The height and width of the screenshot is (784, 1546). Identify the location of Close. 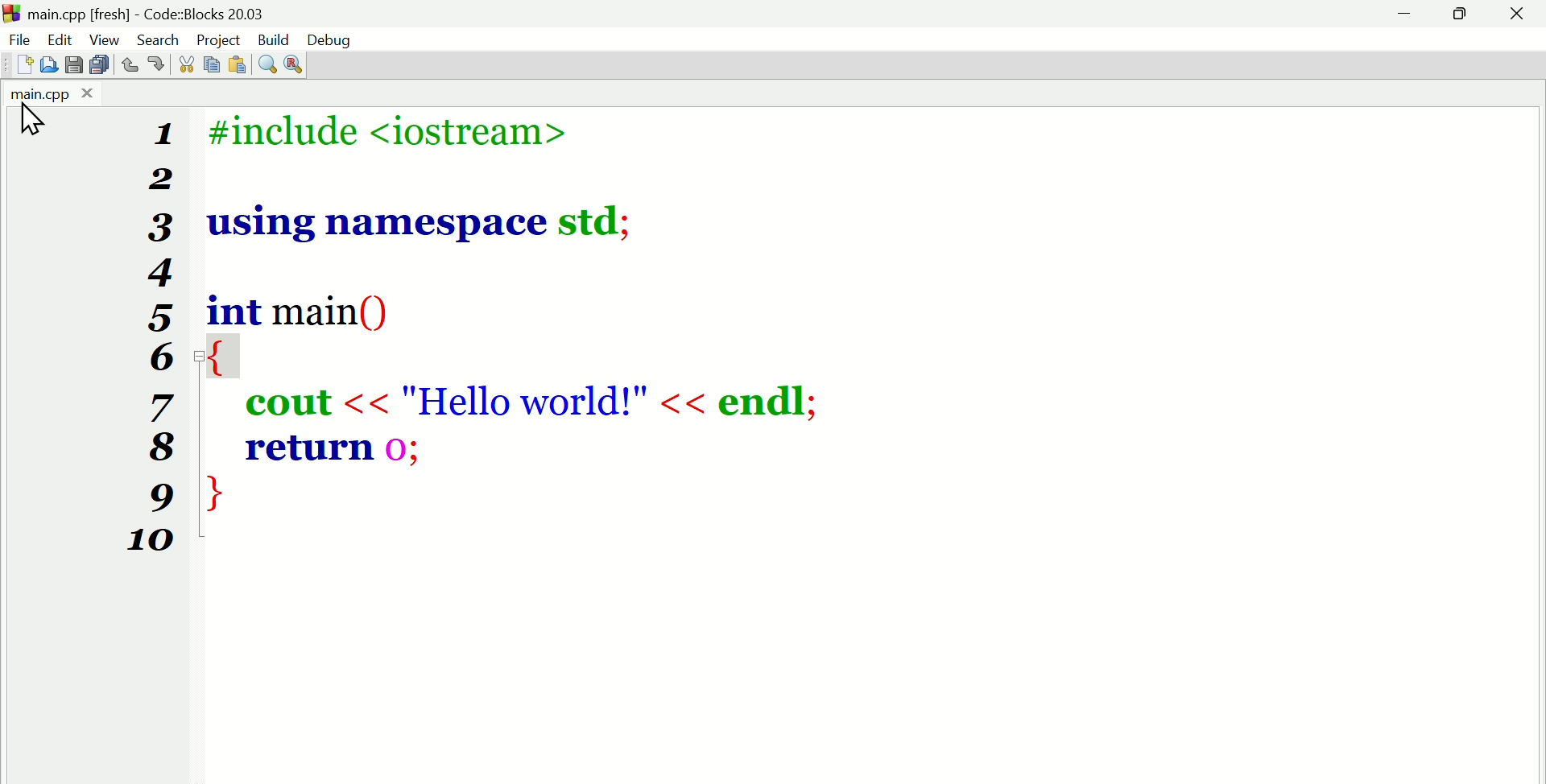
(1518, 17).